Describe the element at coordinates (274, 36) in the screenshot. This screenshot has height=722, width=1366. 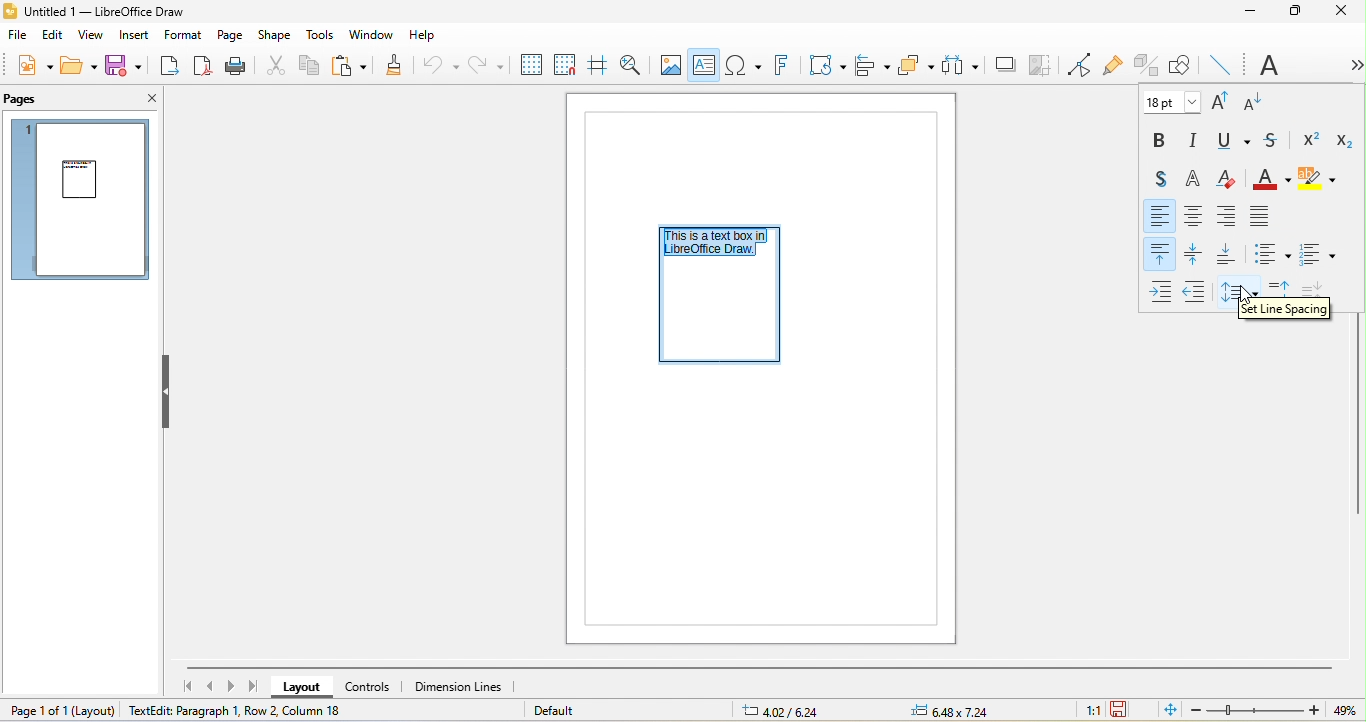
I see `shape` at that location.